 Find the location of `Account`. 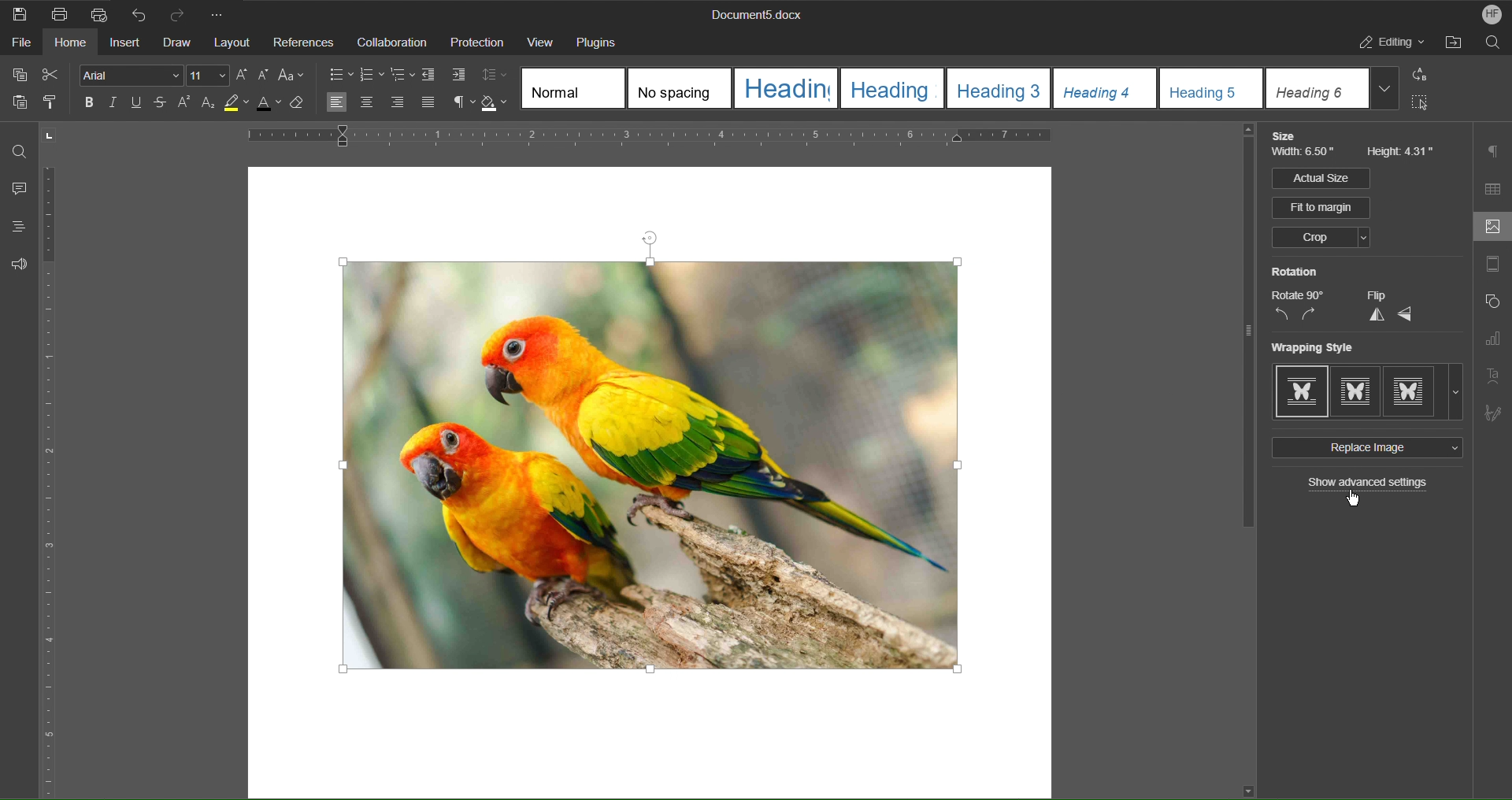

Account is located at coordinates (1487, 14).